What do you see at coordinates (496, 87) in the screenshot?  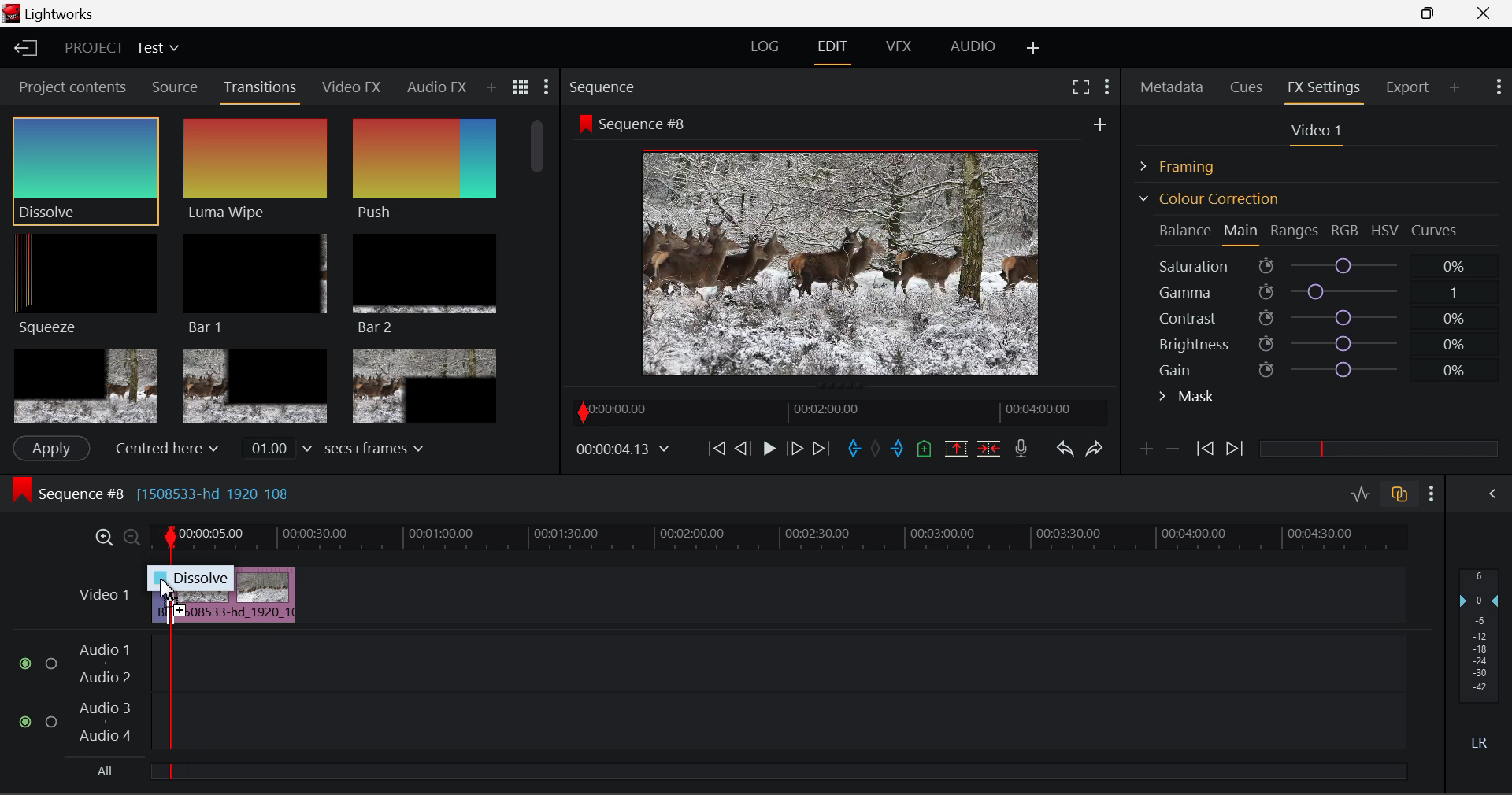 I see `Search` at bounding box center [496, 87].